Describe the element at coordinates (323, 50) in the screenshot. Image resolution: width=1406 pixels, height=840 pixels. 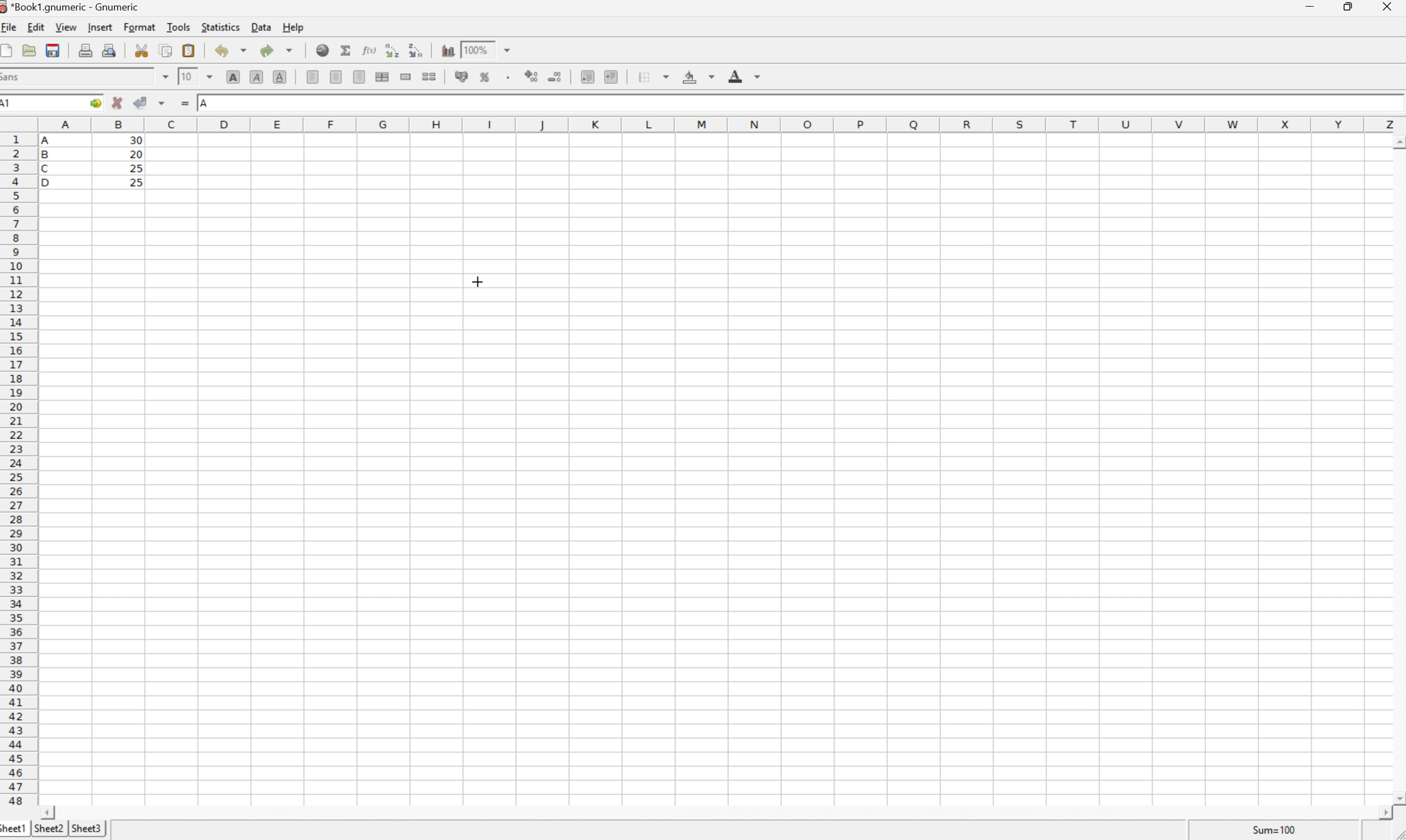
I see `Insert a hyperlink` at that location.